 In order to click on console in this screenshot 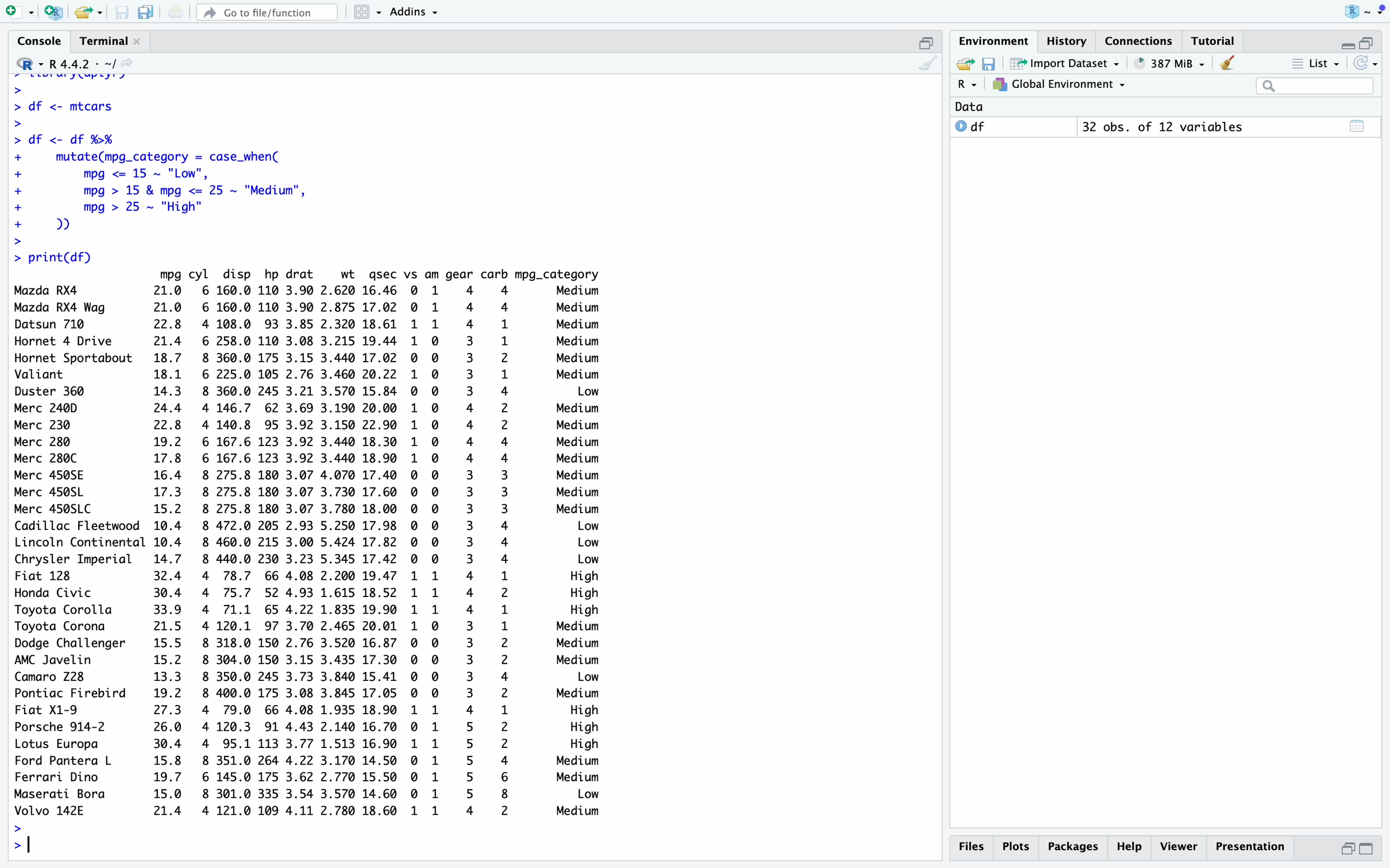, I will do `click(42, 40)`.